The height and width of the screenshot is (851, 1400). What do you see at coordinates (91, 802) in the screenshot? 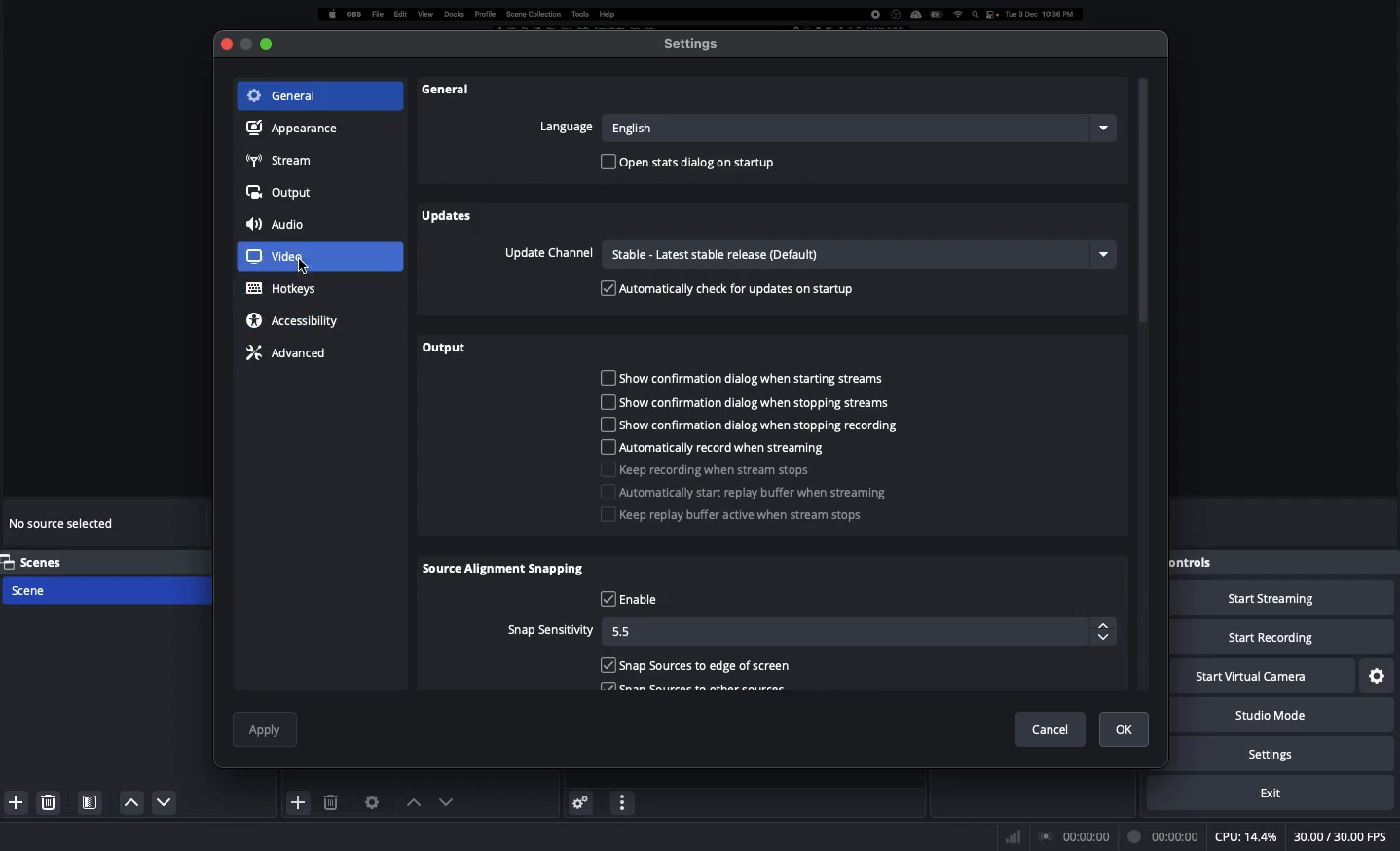
I see `Scenes filter` at bounding box center [91, 802].